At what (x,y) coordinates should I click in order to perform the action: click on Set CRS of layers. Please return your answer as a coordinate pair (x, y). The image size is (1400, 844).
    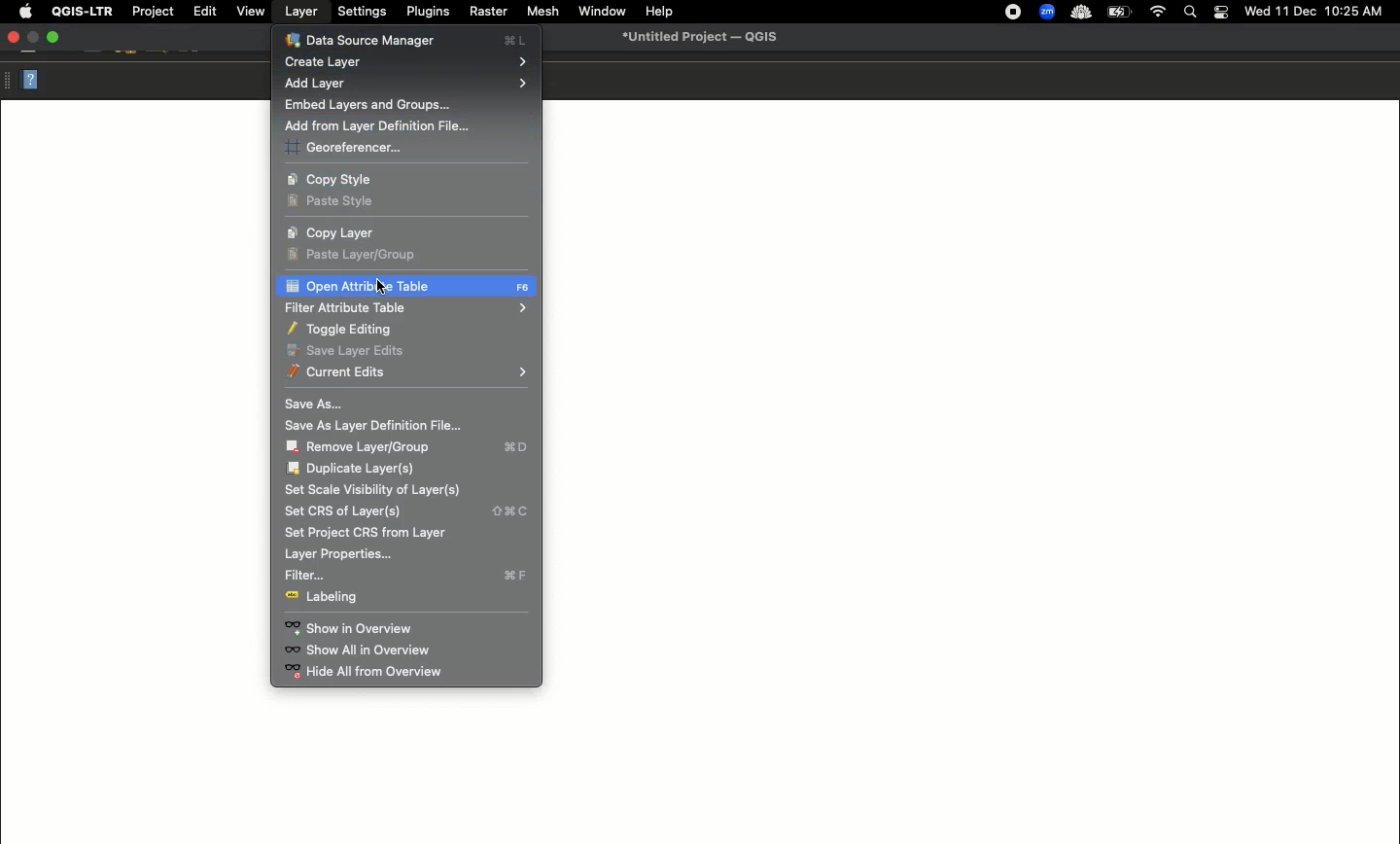
    Looking at the image, I should click on (405, 511).